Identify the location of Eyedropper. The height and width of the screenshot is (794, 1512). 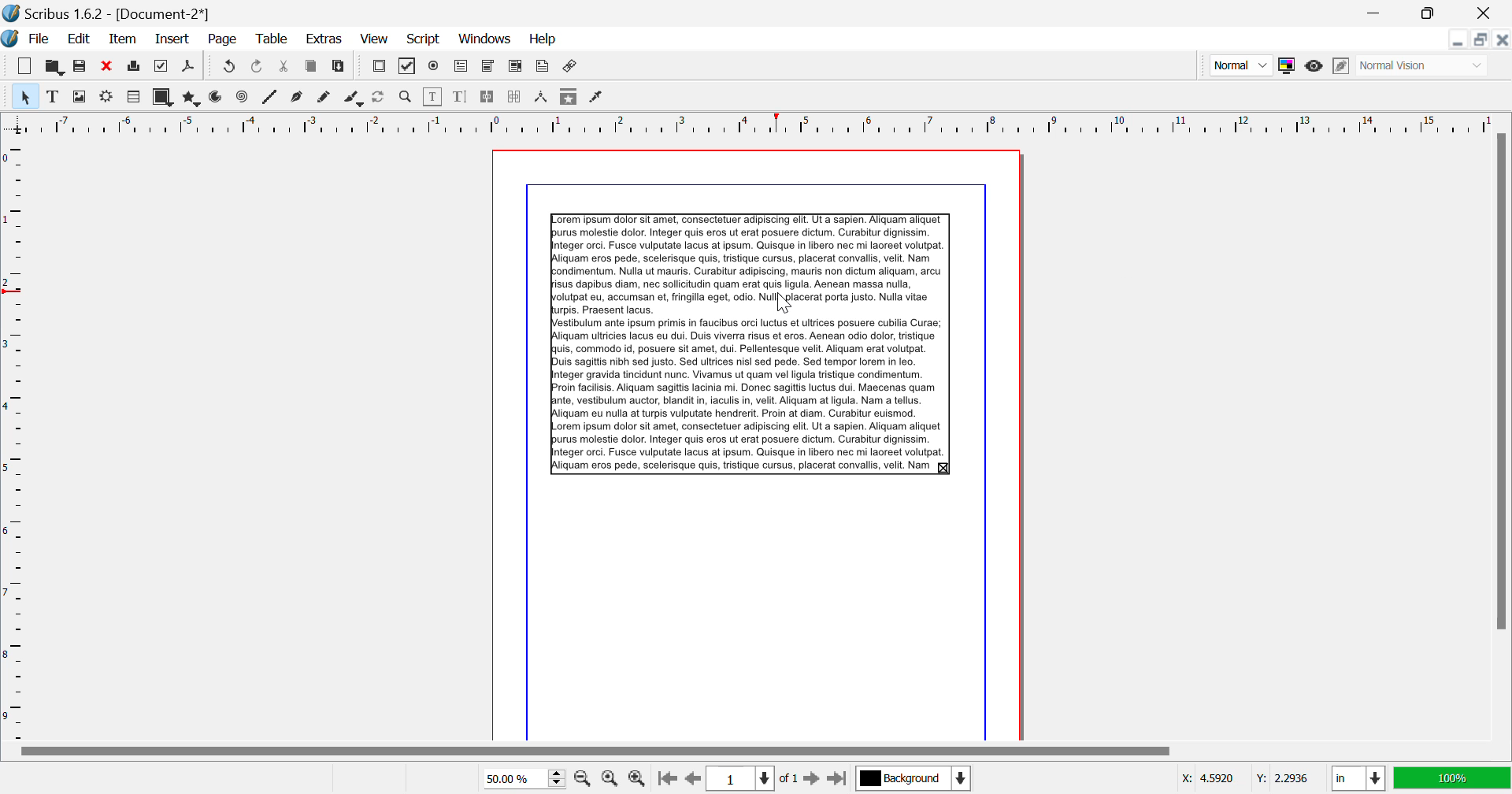
(597, 98).